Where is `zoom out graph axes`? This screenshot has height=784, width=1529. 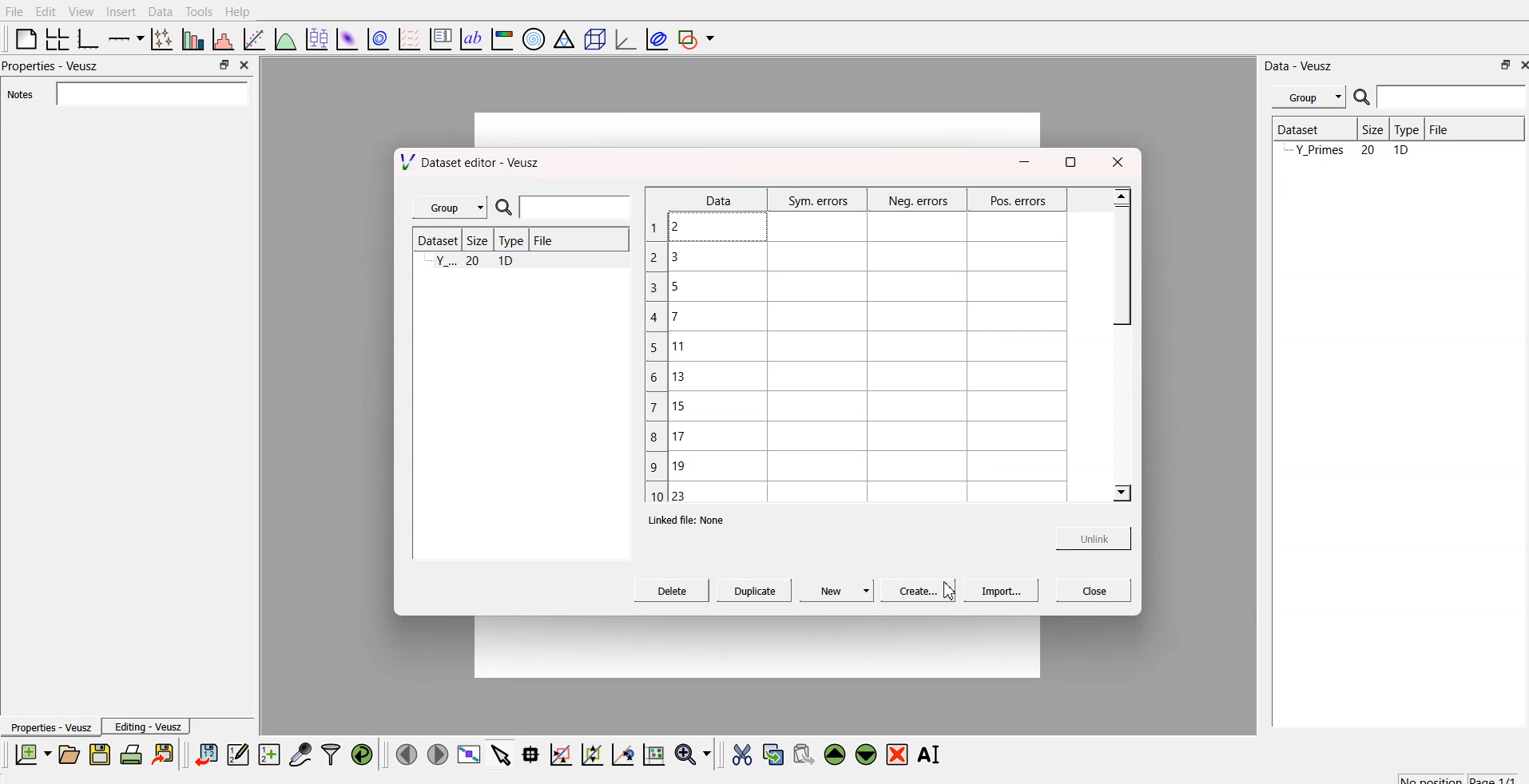 zoom out graph axes is located at coordinates (621, 754).